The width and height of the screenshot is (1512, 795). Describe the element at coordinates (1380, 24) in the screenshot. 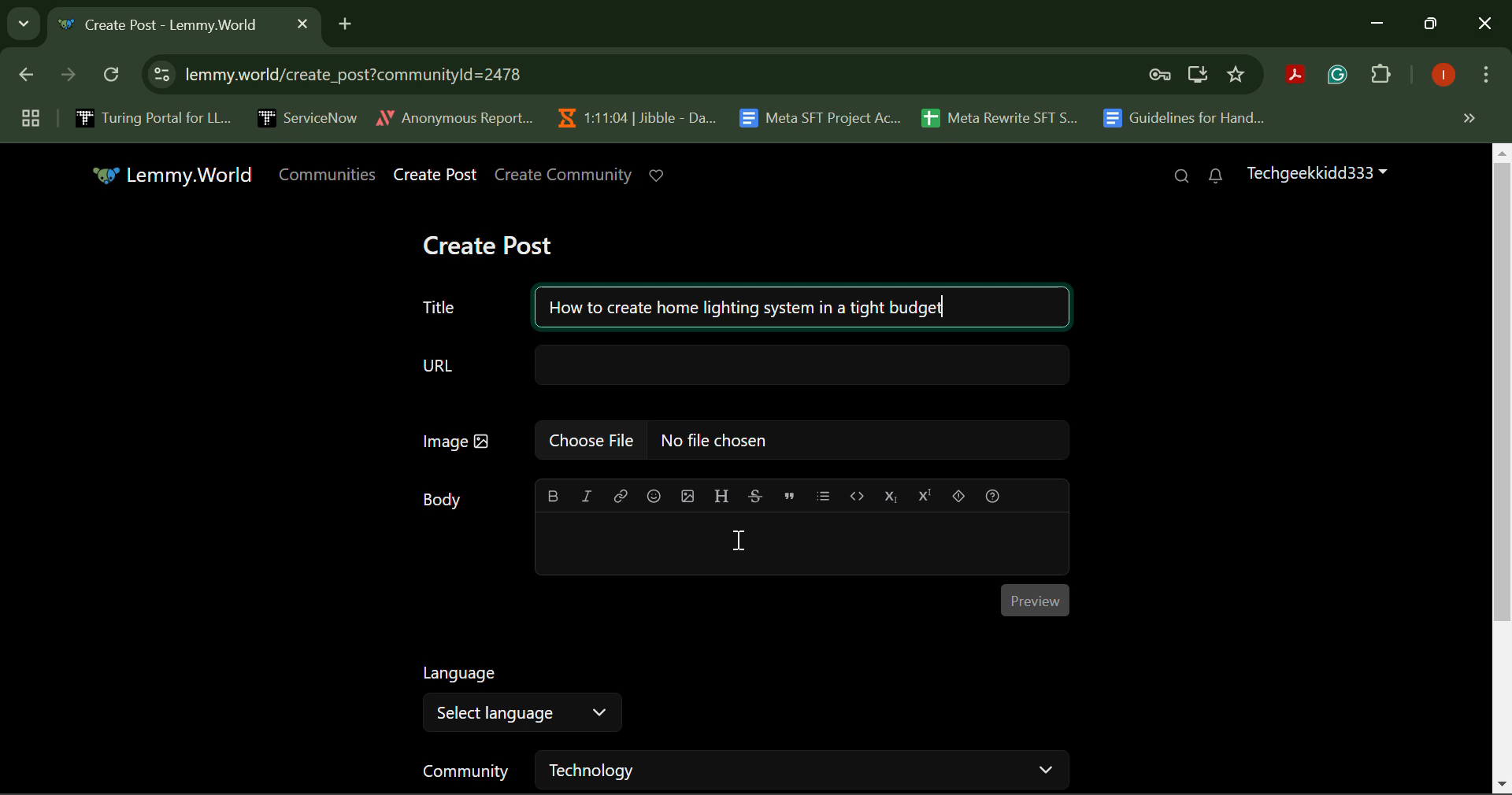

I see `Minimize Down` at that location.